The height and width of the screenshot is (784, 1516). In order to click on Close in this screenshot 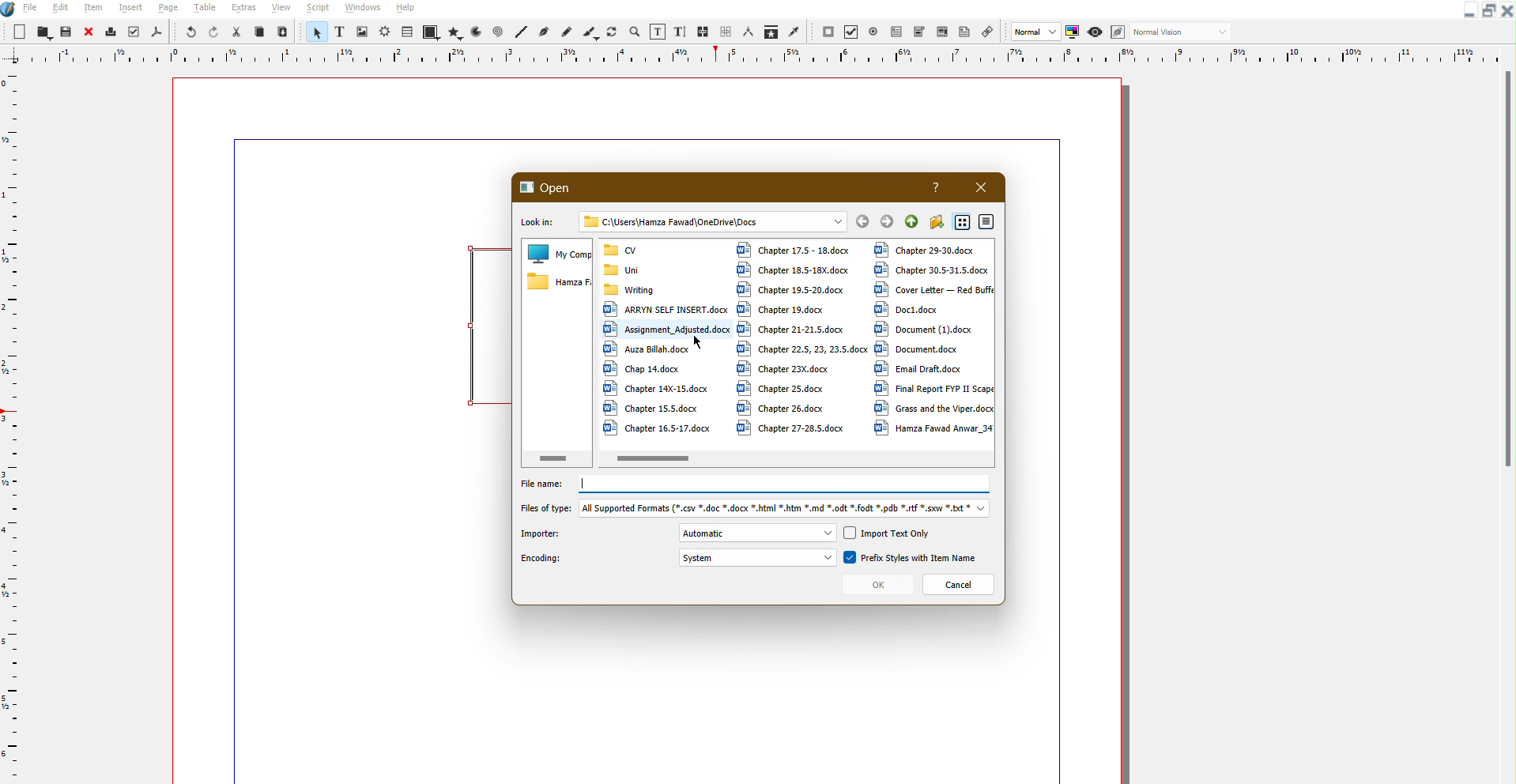, I will do `click(1506, 10)`.